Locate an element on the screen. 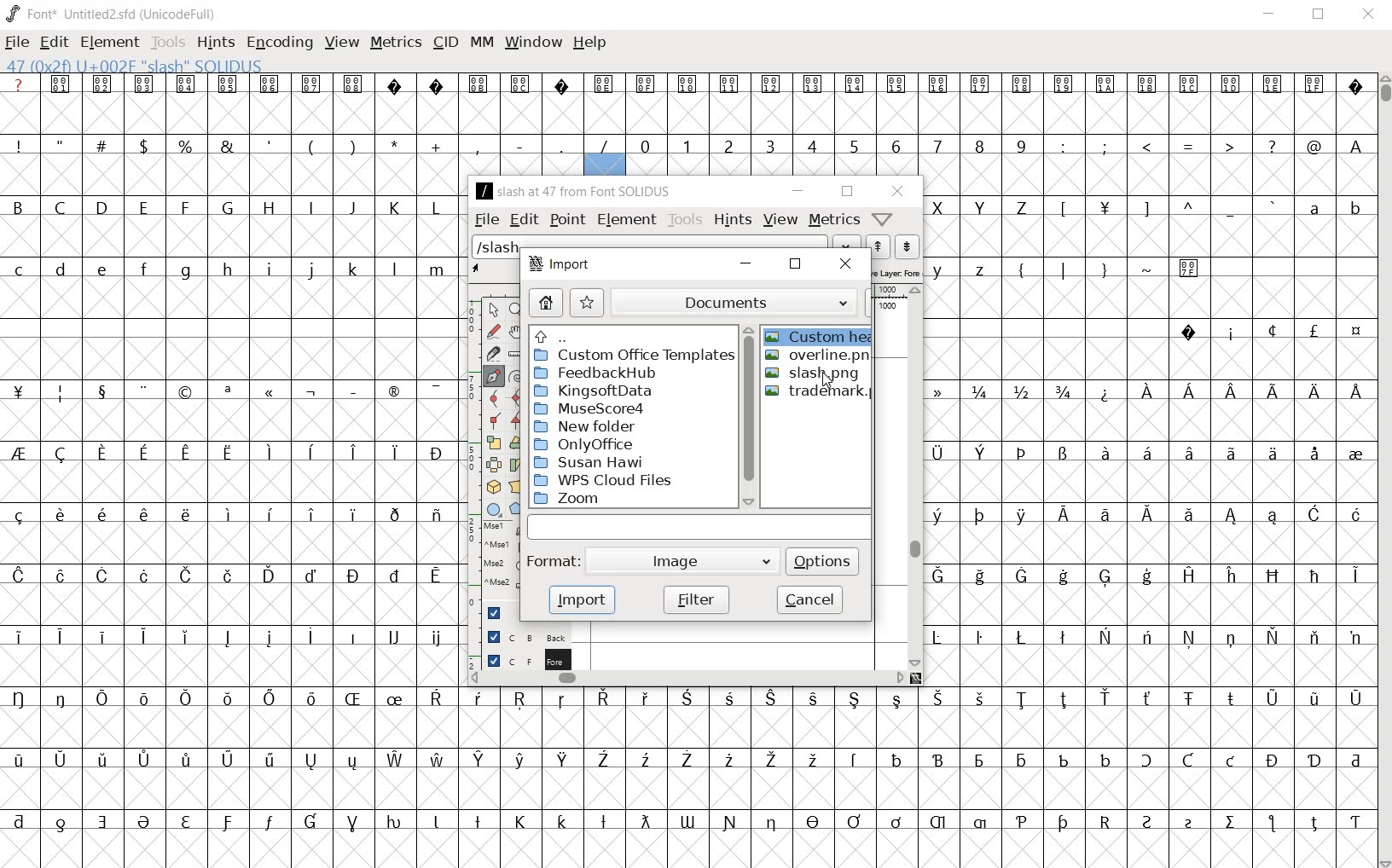 The width and height of the screenshot is (1392, 868). empty cells is located at coordinates (688, 115).